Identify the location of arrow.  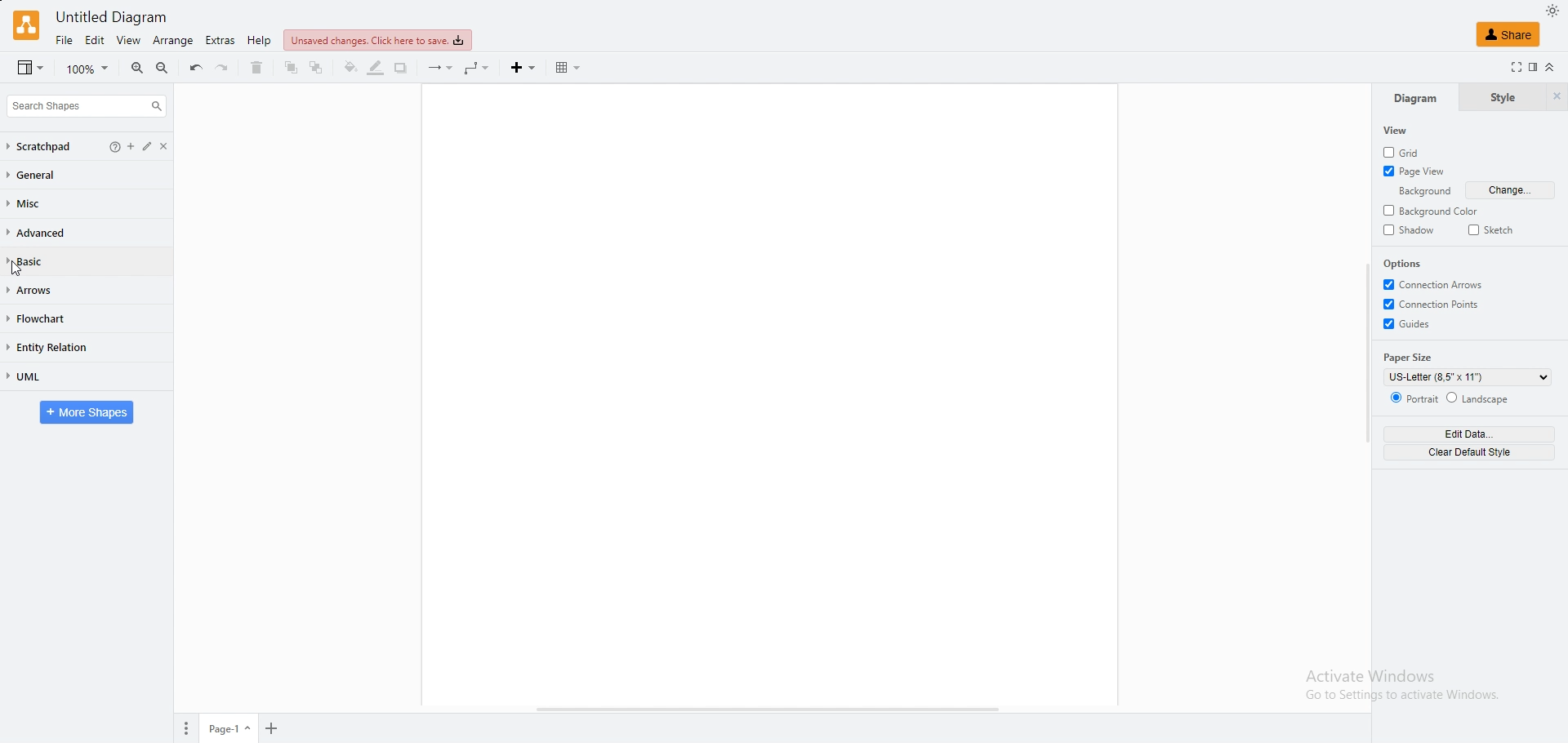
(440, 69).